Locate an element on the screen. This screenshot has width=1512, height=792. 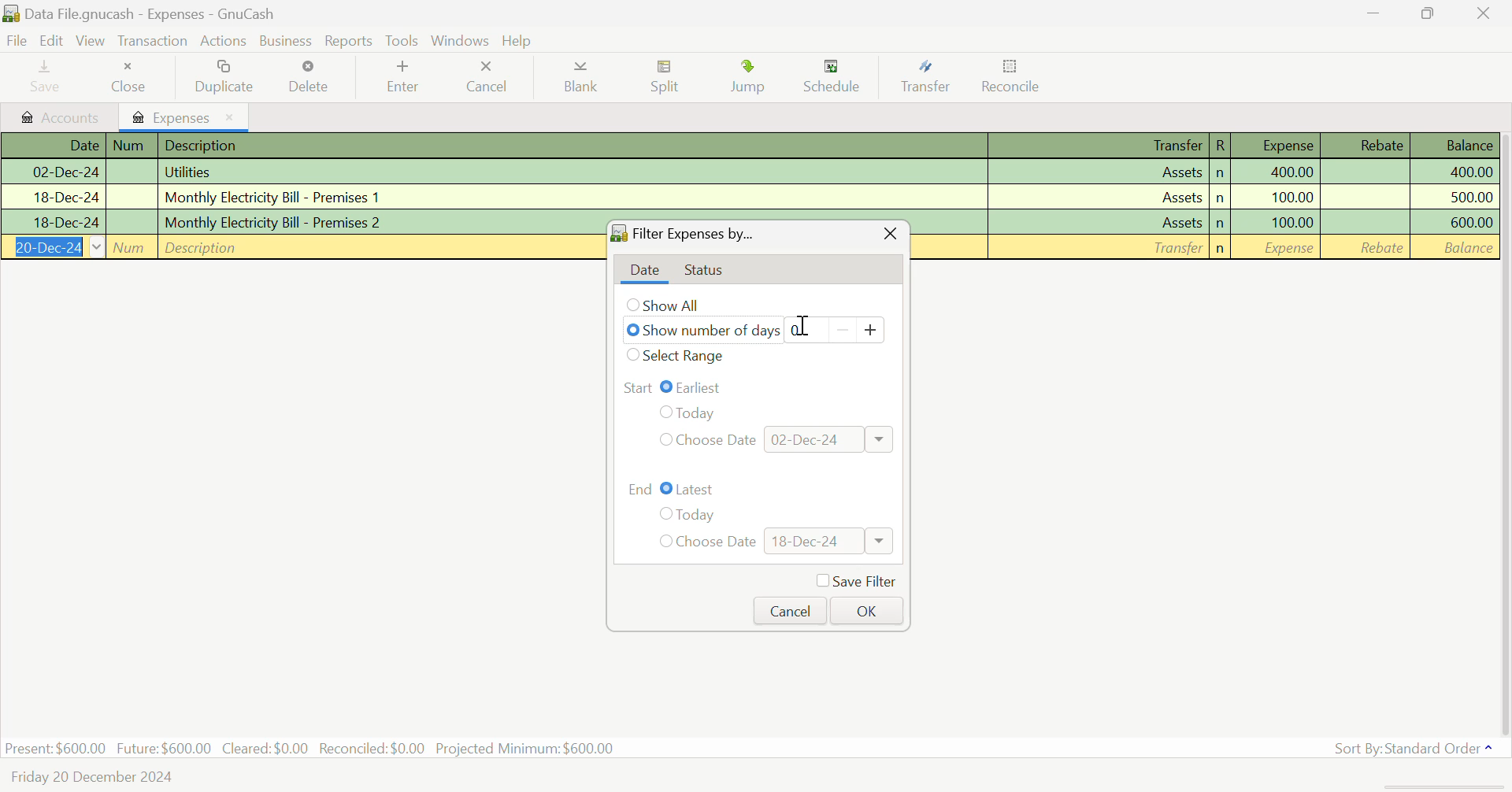
Premises 2 Bill is located at coordinates (380, 221).